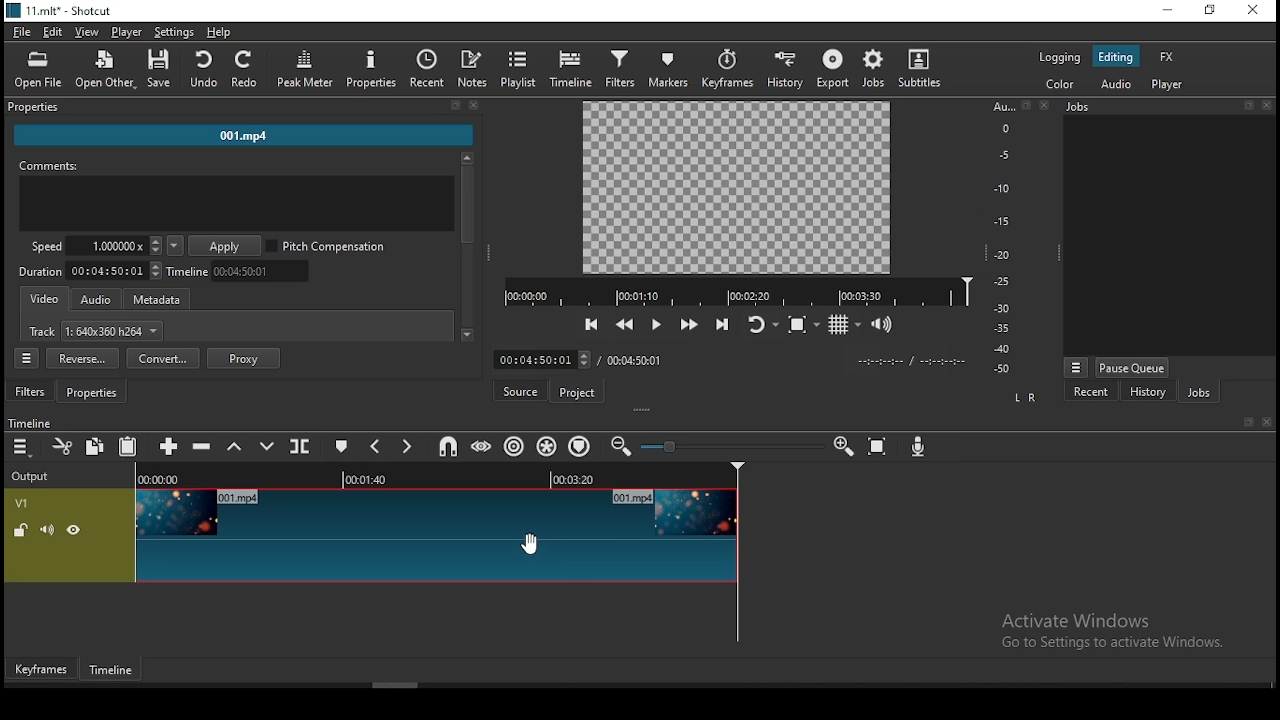  I want to click on redo, so click(246, 69).